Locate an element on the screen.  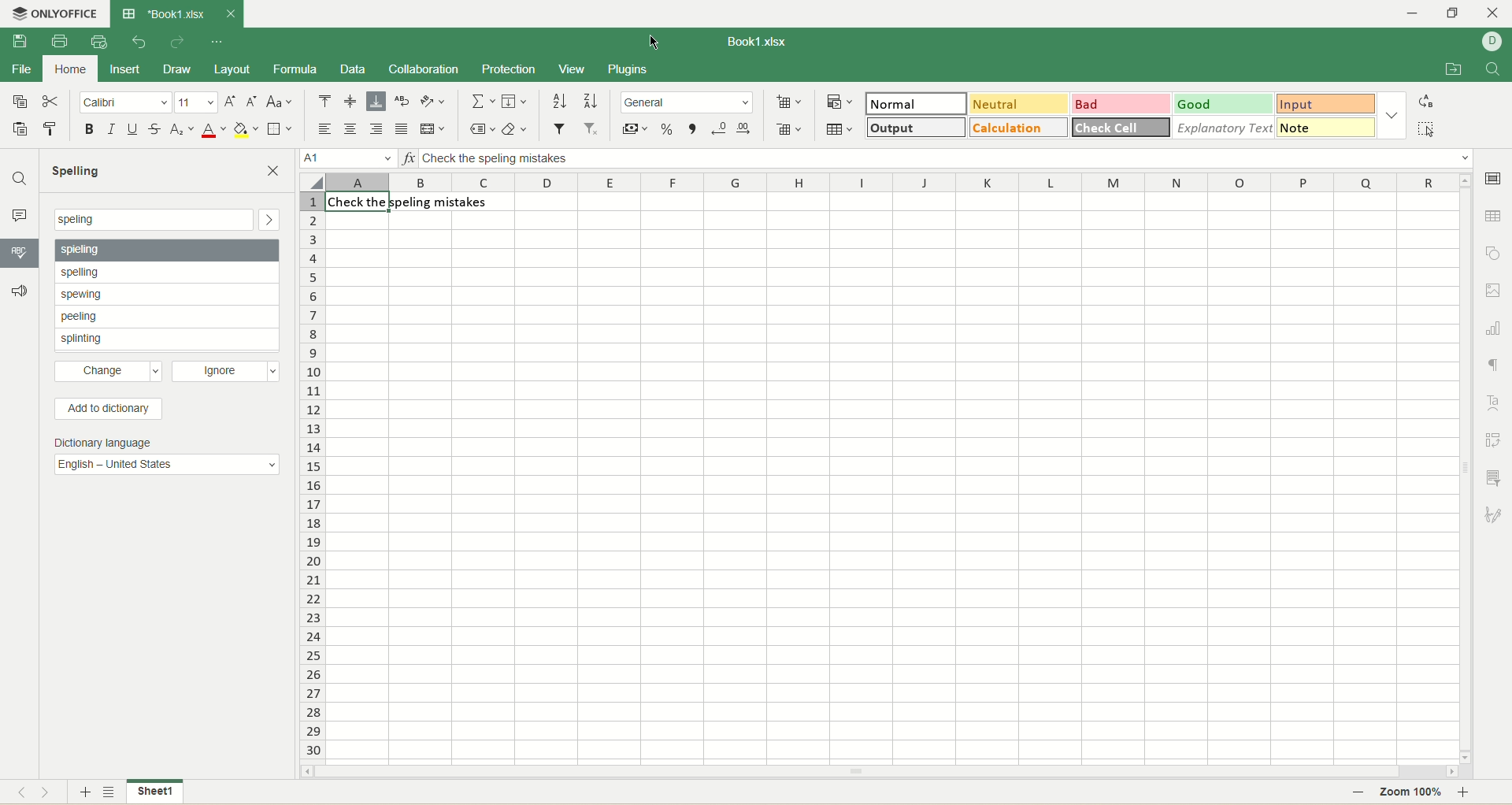
change case is located at coordinates (279, 103).